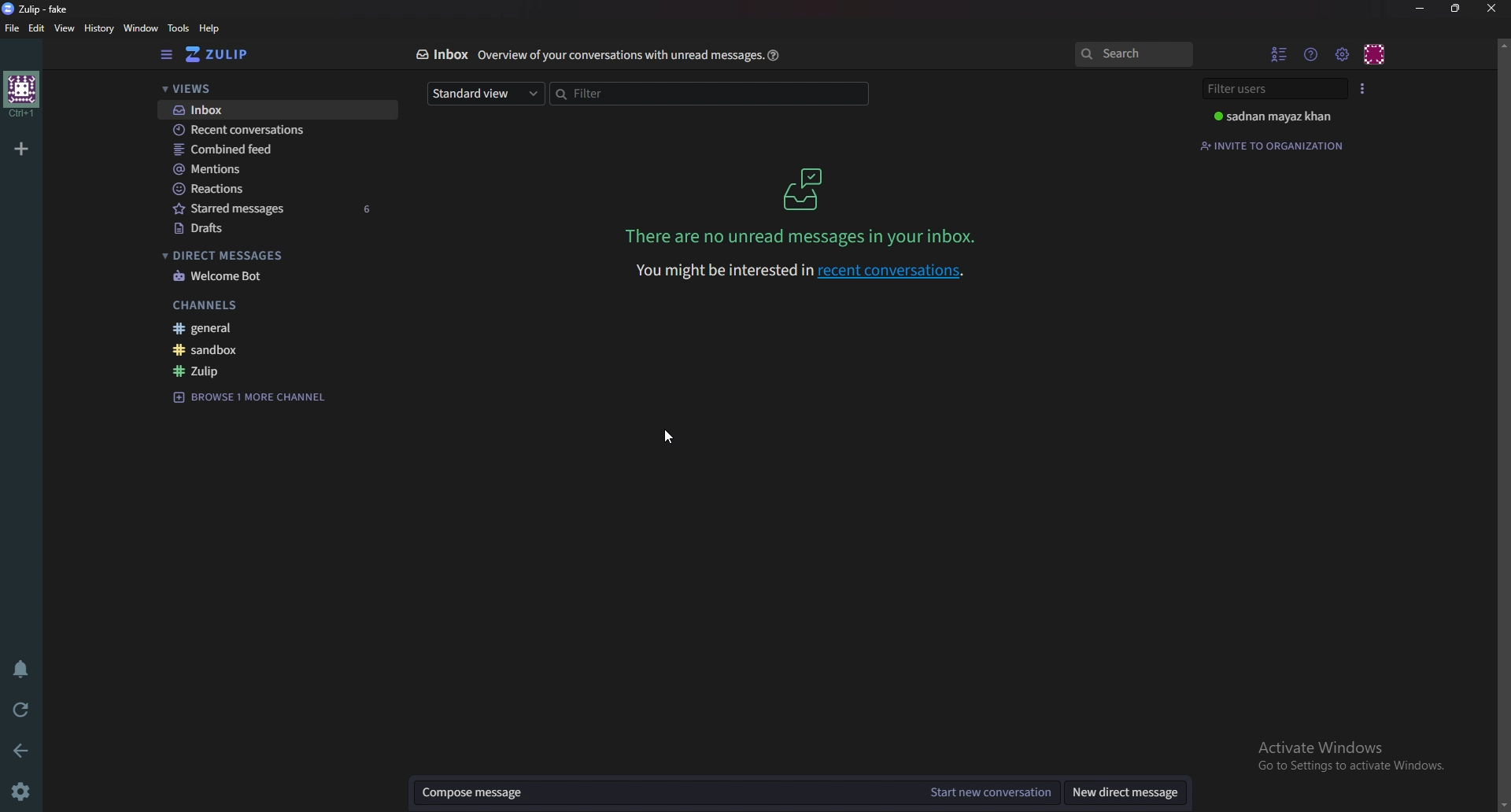  What do you see at coordinates (20, 147) in the screenshot?
I see `Add organization` at bounding box center [20, 147].